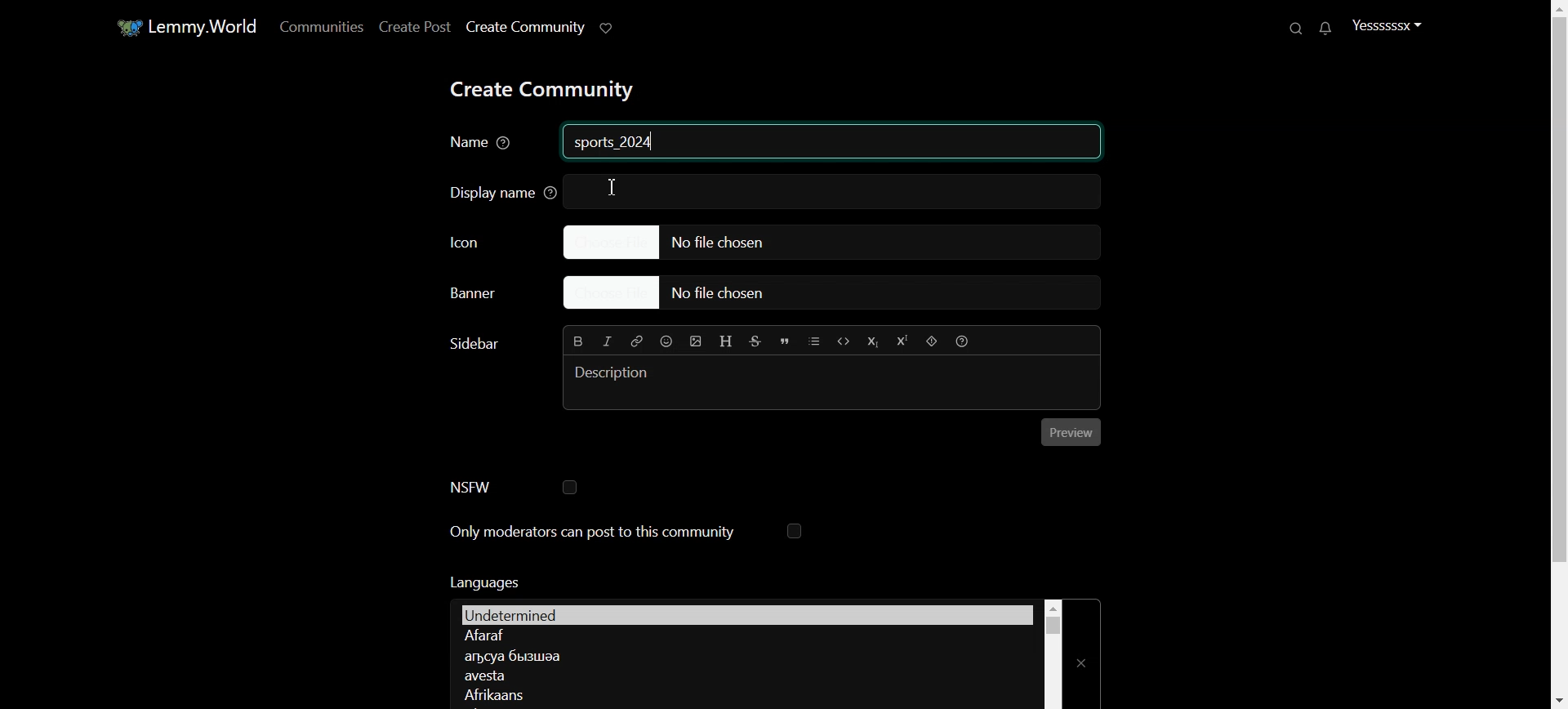 The width and height of the screenshot is (1568, 709). Describe the element at coordinates (901, 341) in the screenshot. I see `Superscript` at that location.